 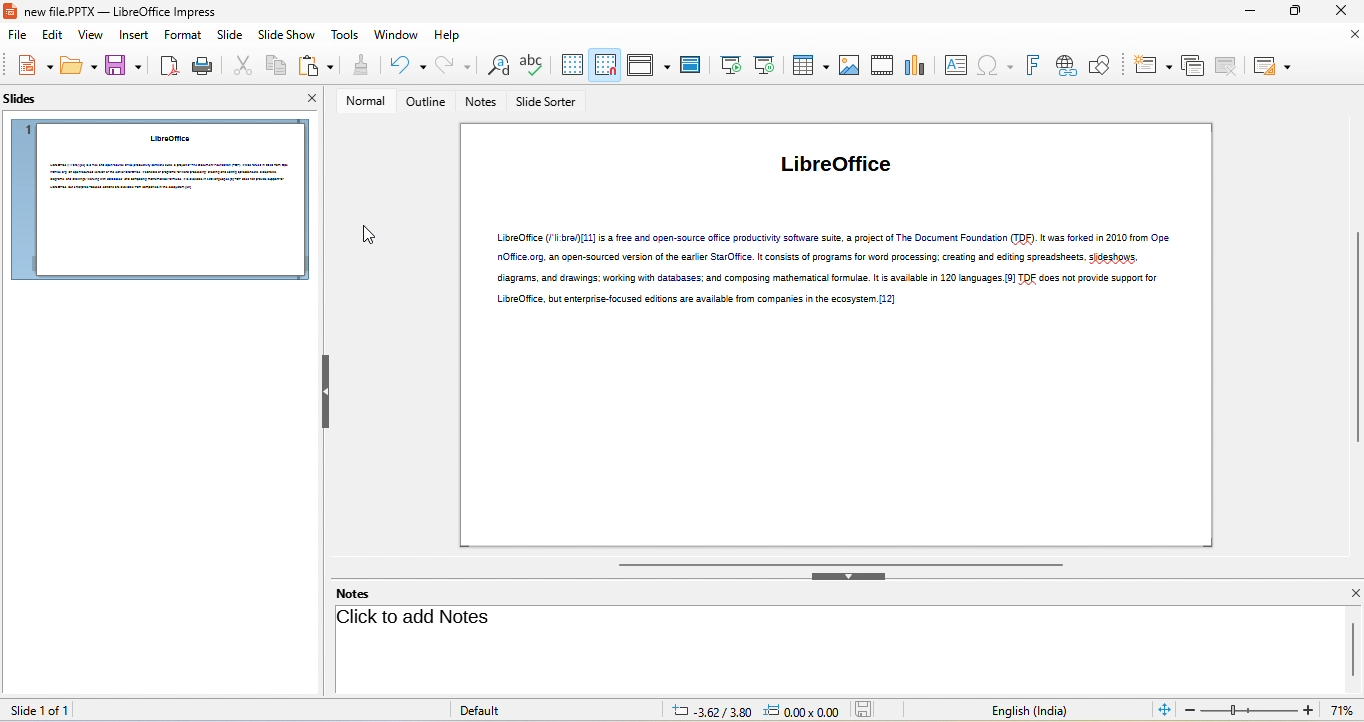 What do you see at coordinates (365, 101) in the screenshot?
I see `normal` at bounding box center [365, 101].